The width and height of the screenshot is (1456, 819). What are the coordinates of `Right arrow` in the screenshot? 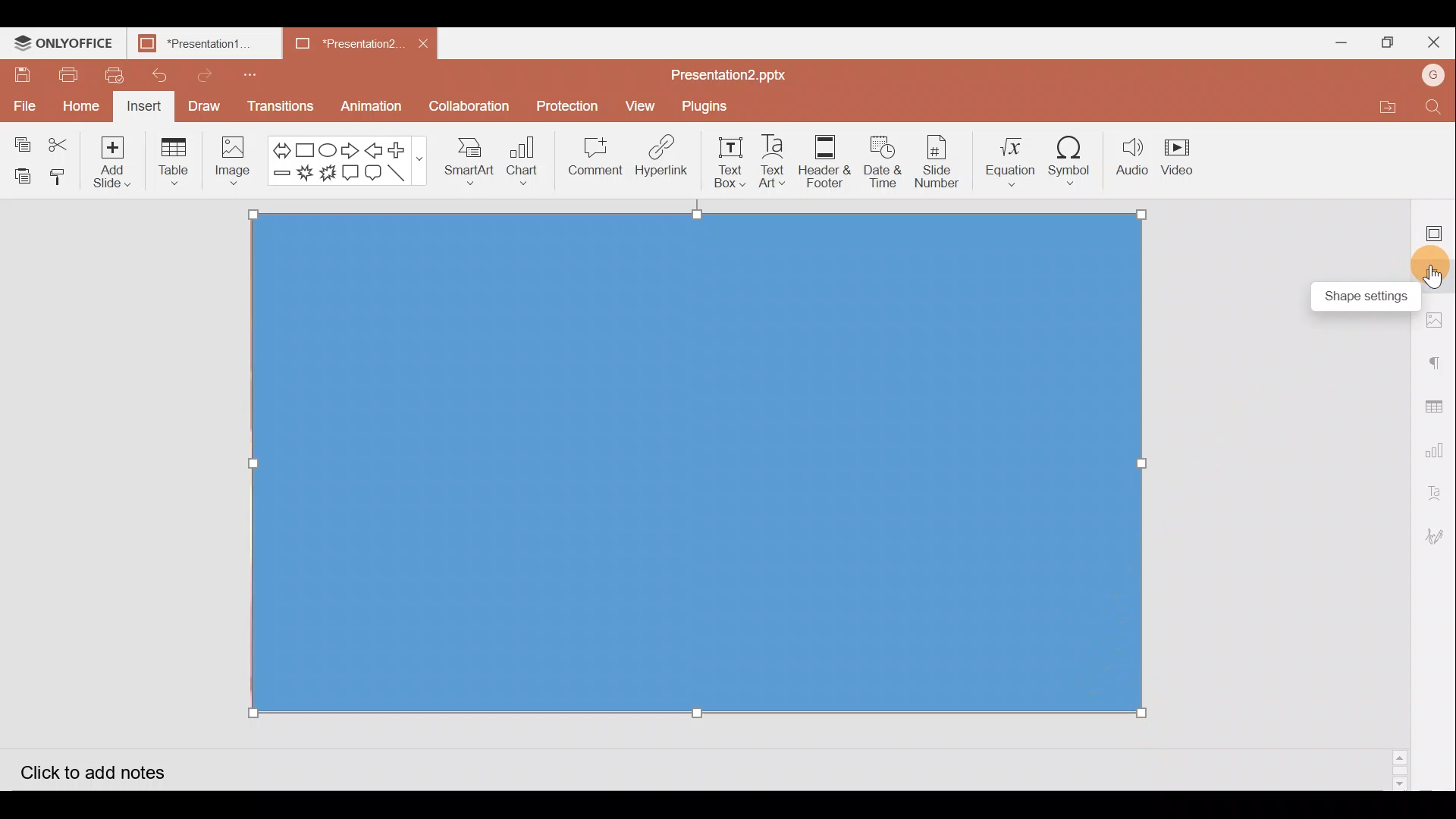 It's located at (351, 148).